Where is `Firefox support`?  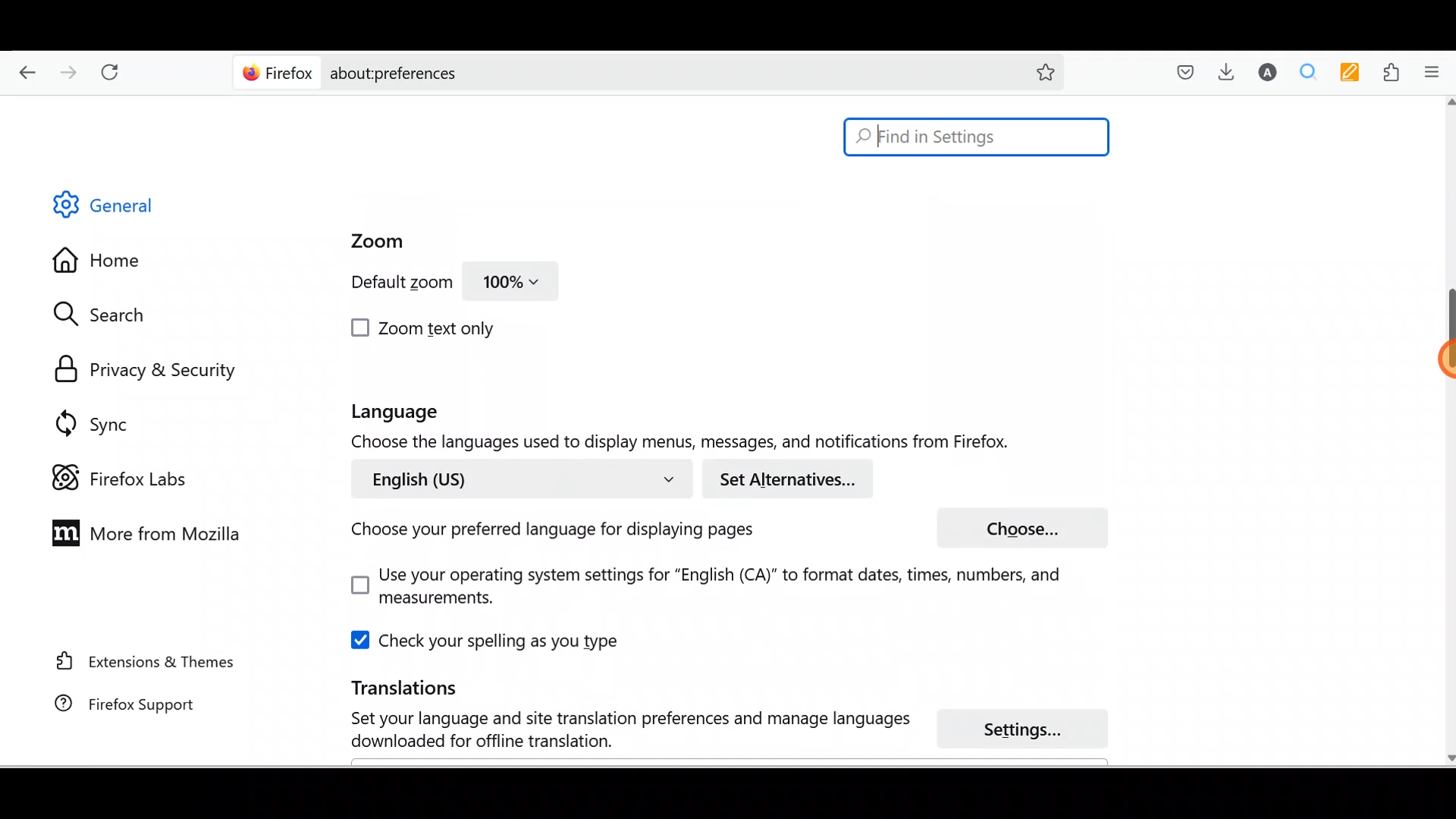 Firefox support is located at coordinates (115, 704).